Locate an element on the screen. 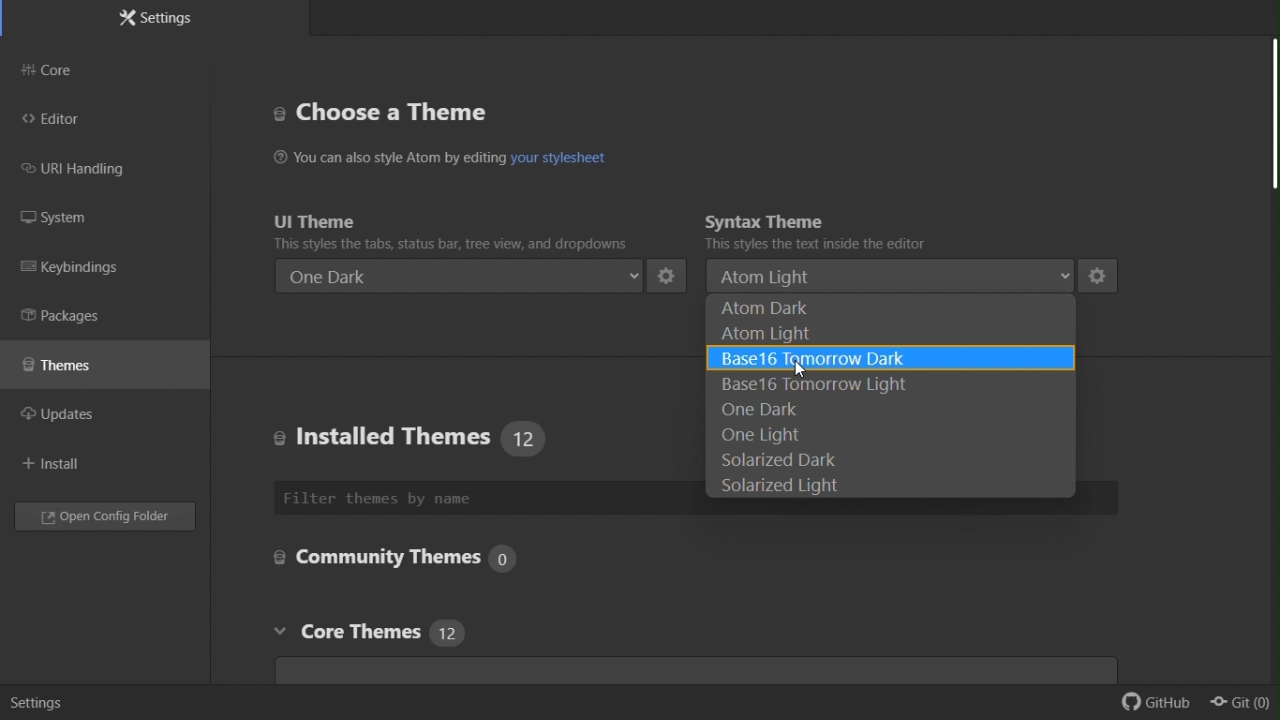 Image resolution: width=1280 pixels, height=720 pixels. Key binding is located at coordinates (87, 269).